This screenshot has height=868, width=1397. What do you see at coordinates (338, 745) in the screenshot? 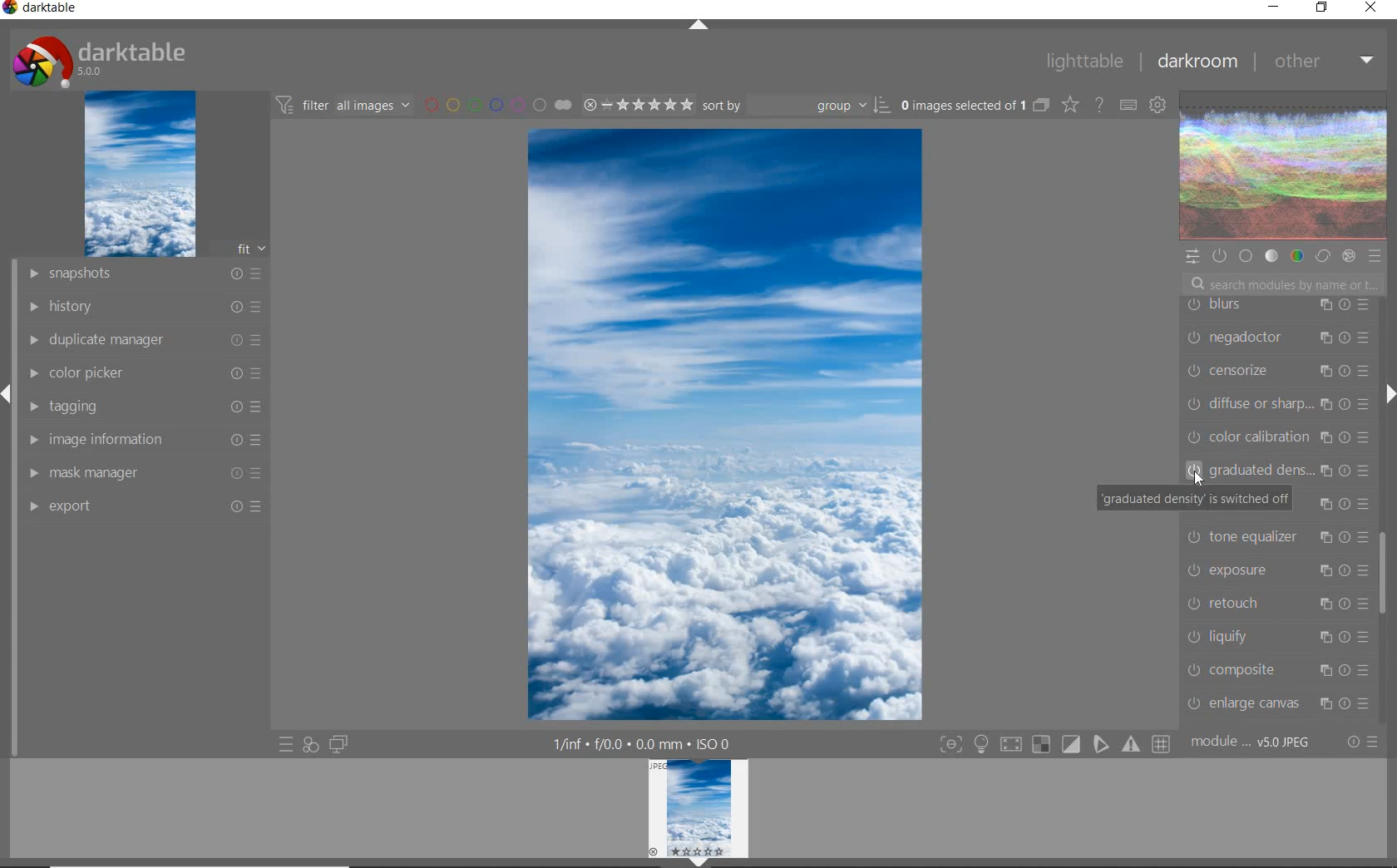
I see `DISPLAY A SECOND DARKROOM DISPLAY` at bounding box center [338, 745].